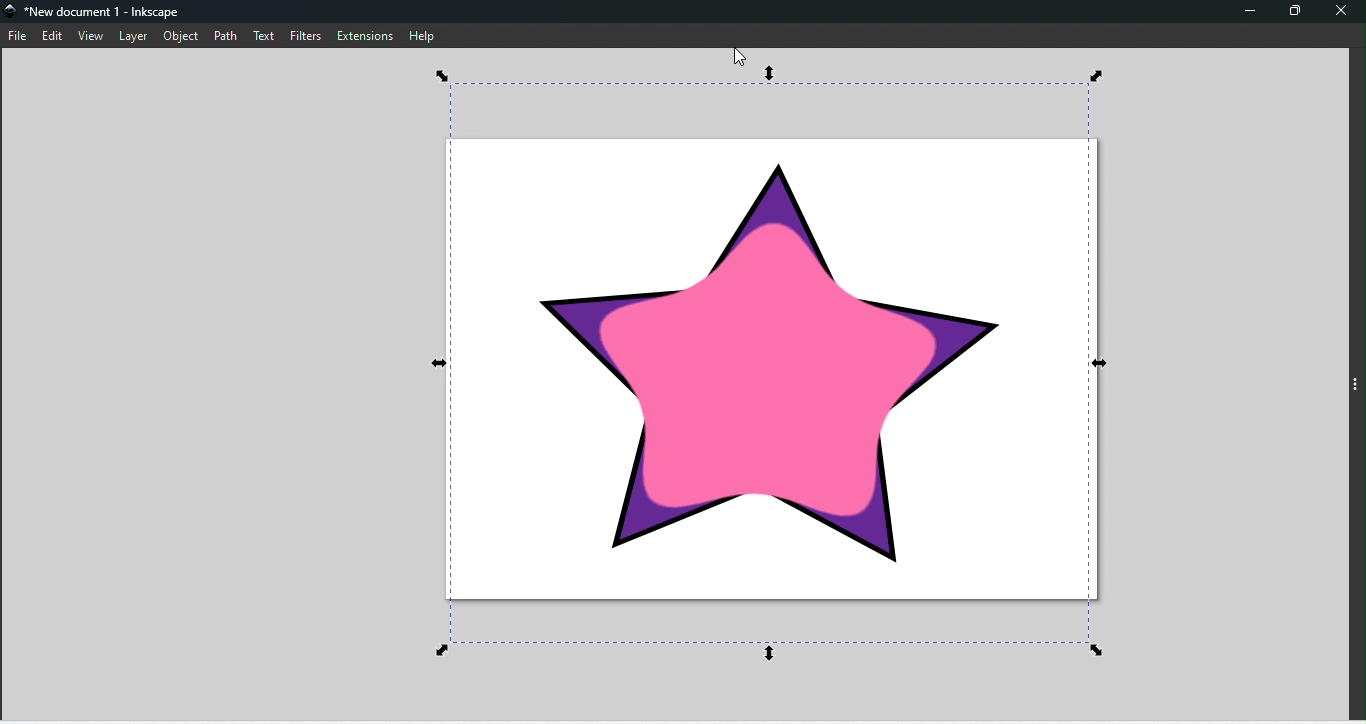  I want to click on Chewing gum effect applied, so click(757, 369).